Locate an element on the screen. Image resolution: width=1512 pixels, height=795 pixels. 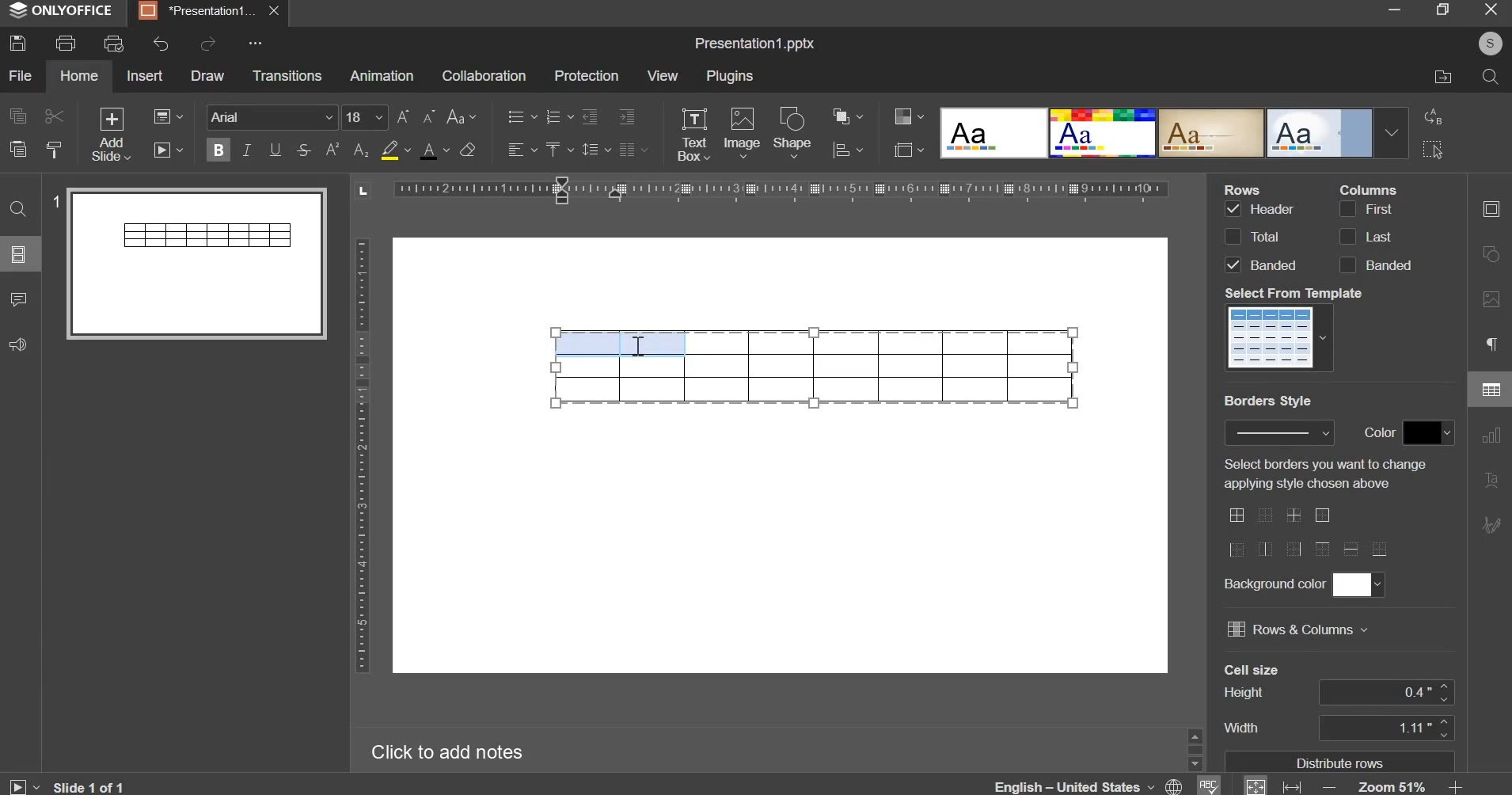
zoom & fit is located at coordinates (1352, 785).